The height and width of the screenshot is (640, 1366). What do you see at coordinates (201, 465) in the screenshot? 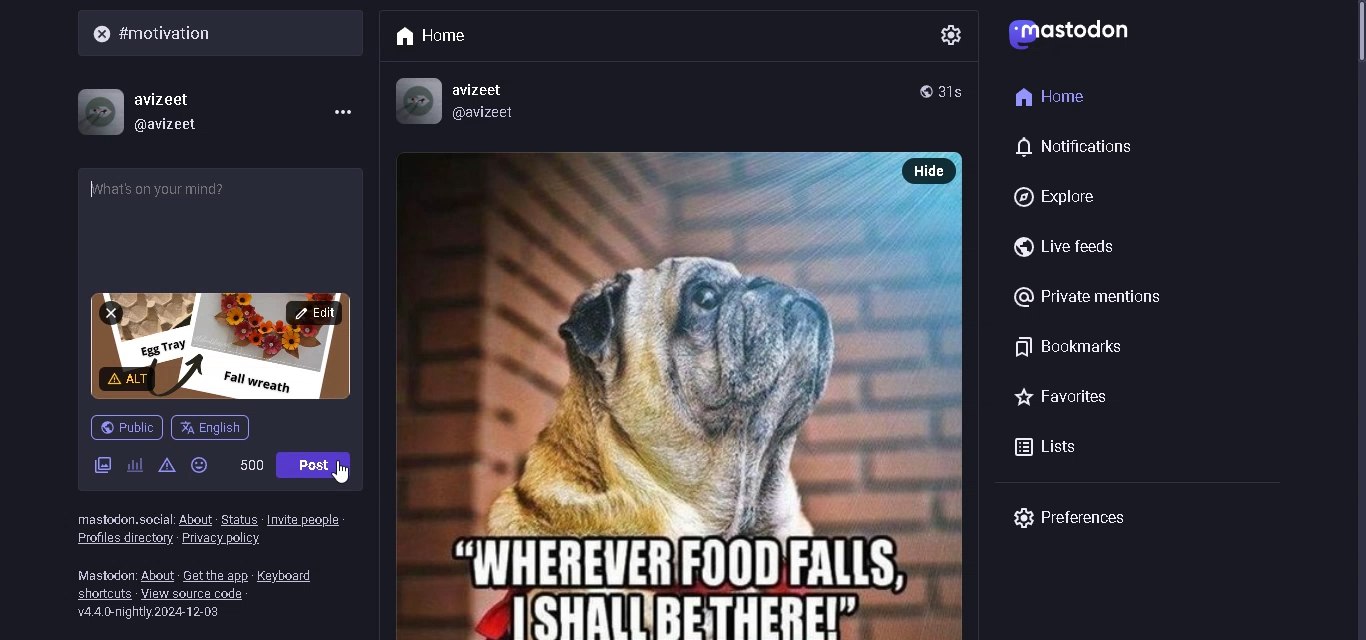
I see `emojis` at bounding box center [201, 465].